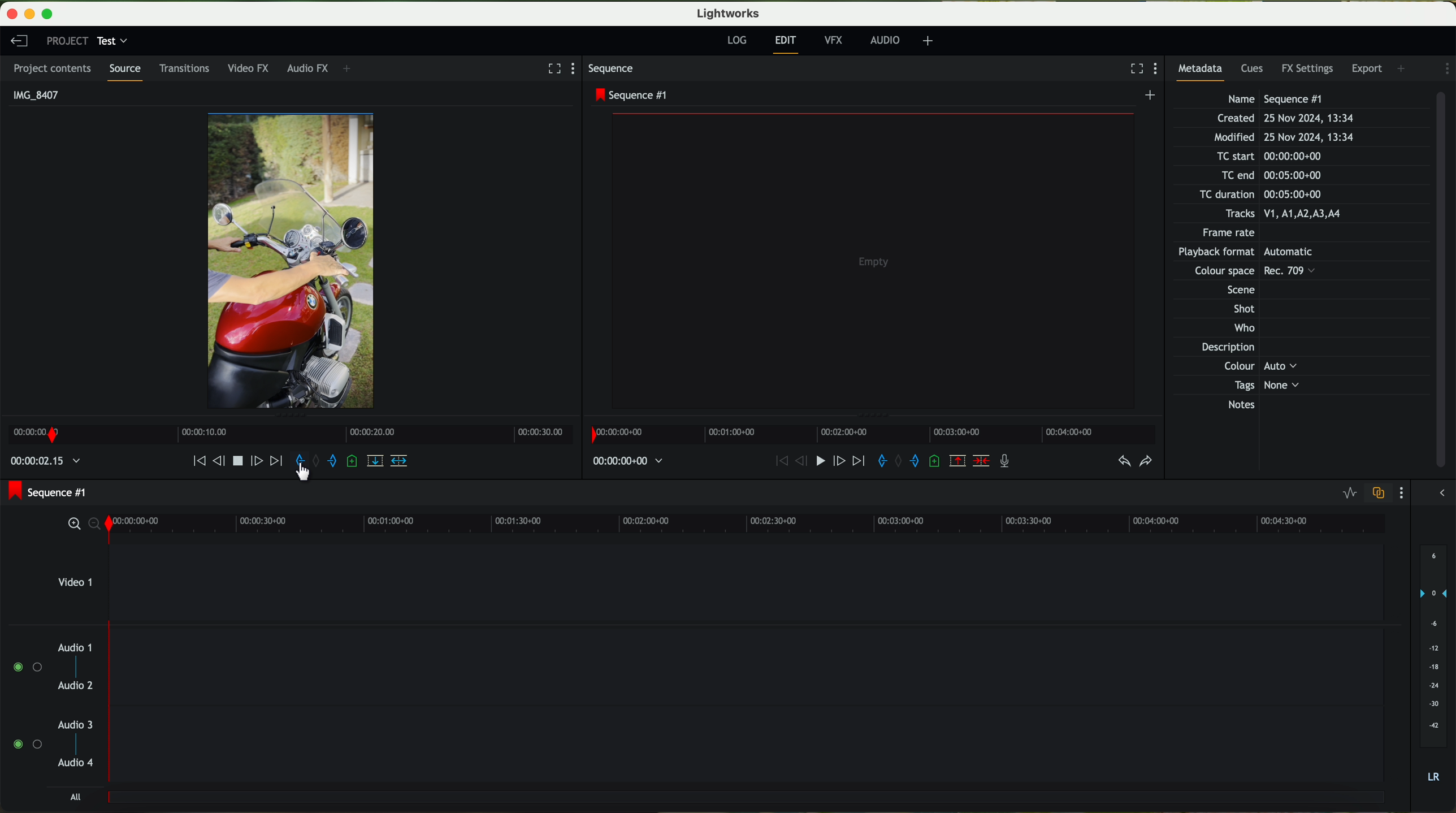 The height and width of the screenshot is (813, 1456). Describe the element at coordinates (1132, 68) in the screenshot. I see `fullscreen` at that location.